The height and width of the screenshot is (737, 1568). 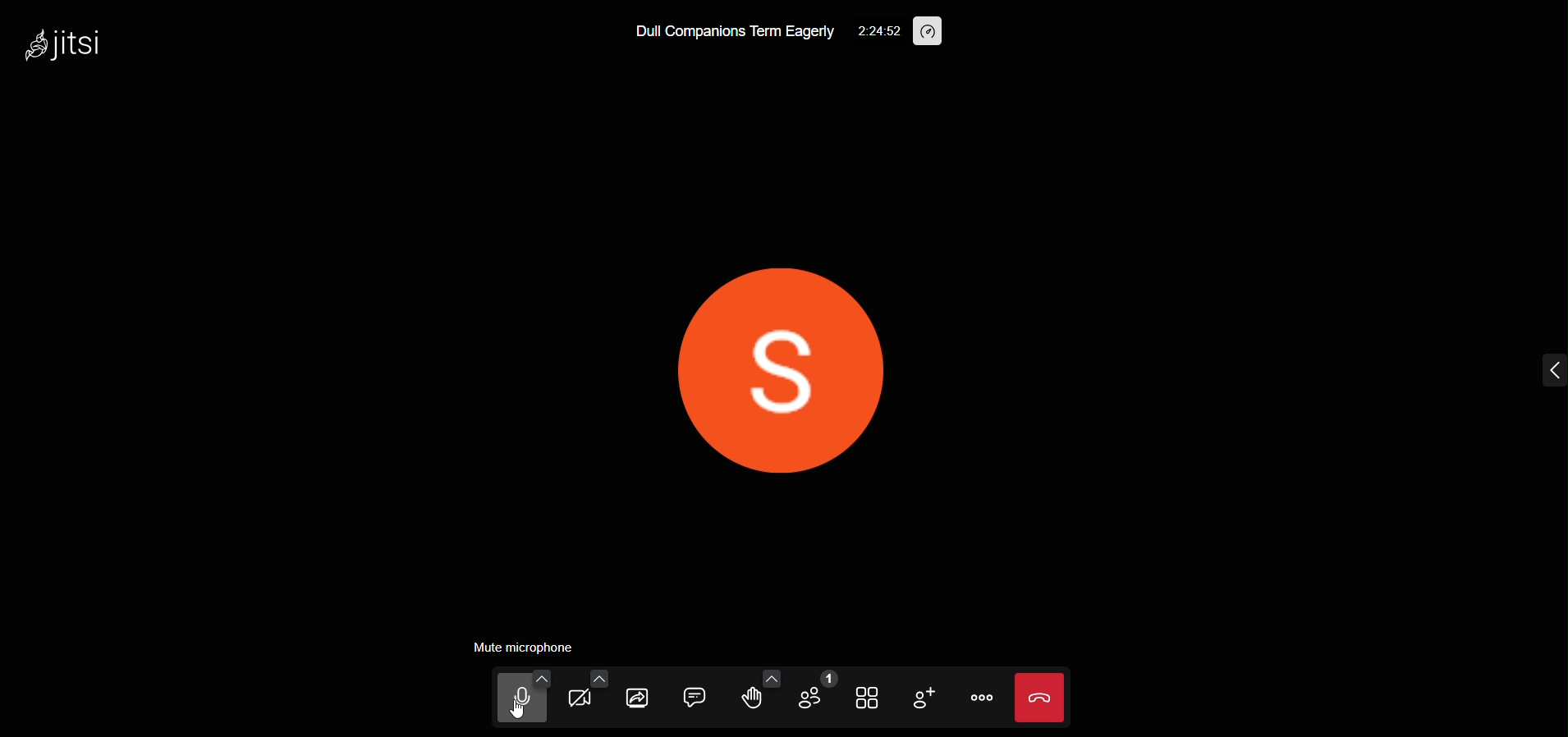 What do you see at coordinates (933, 32) in the screenshot?
I see `performance setting` at bounding box center [933, 32].